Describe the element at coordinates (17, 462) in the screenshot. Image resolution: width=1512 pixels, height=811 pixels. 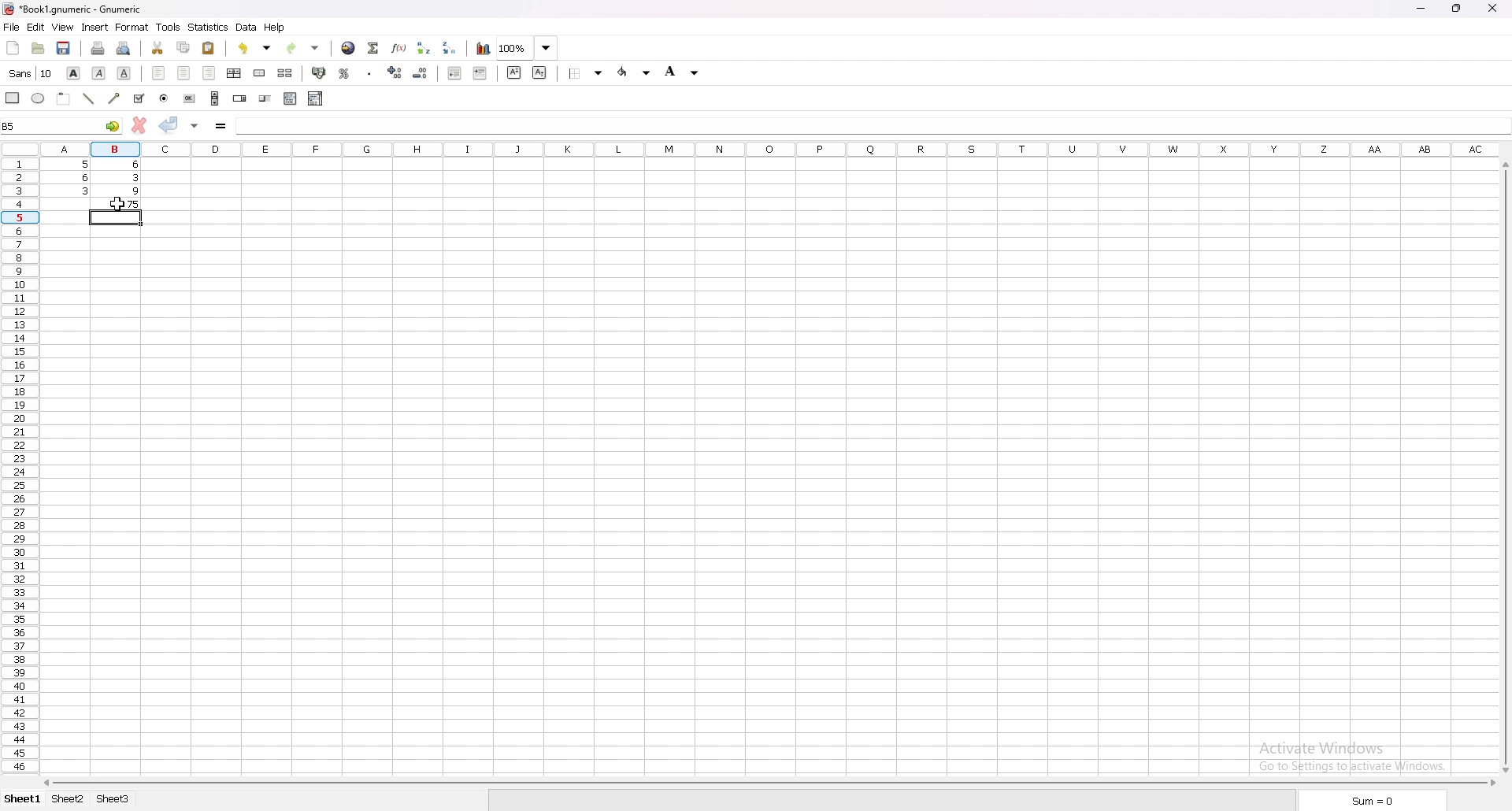
I see `row` at that location.